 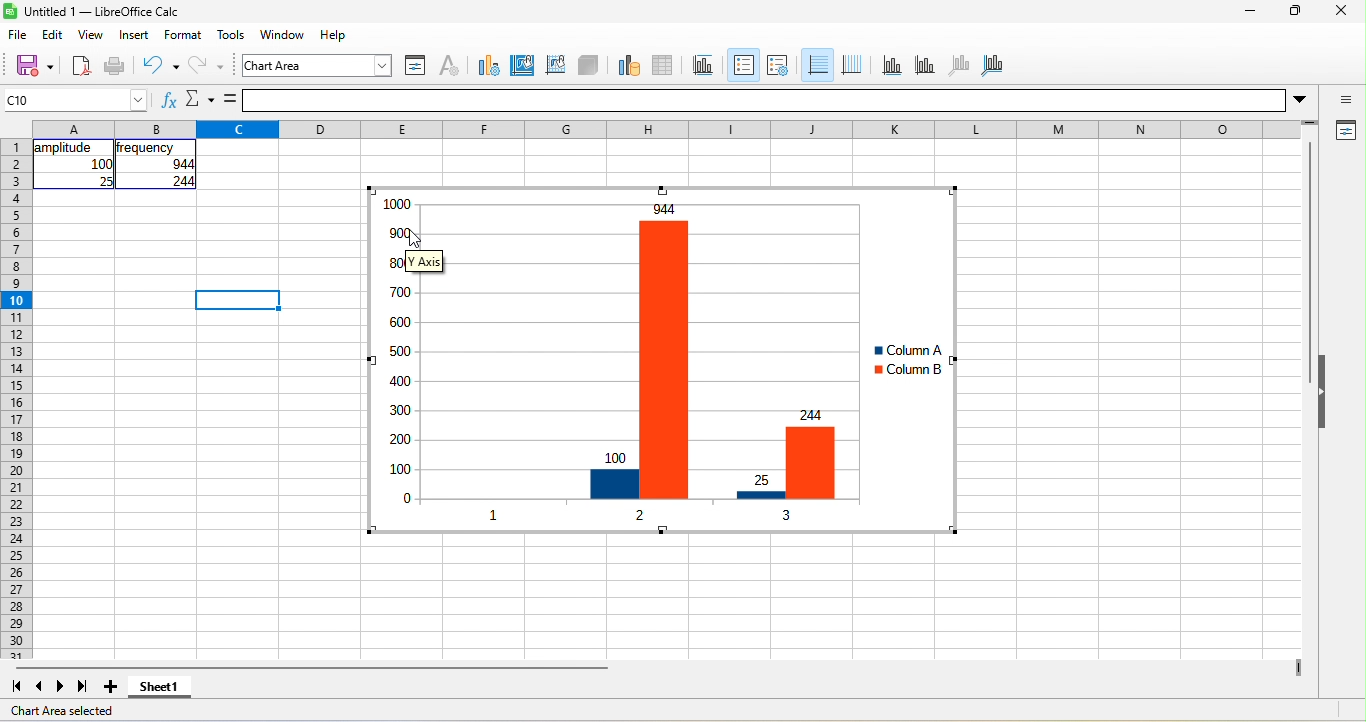 What do you see at coordinates (173, 165) in the screenshot?
I see `944` at bounding box center [173, 165].